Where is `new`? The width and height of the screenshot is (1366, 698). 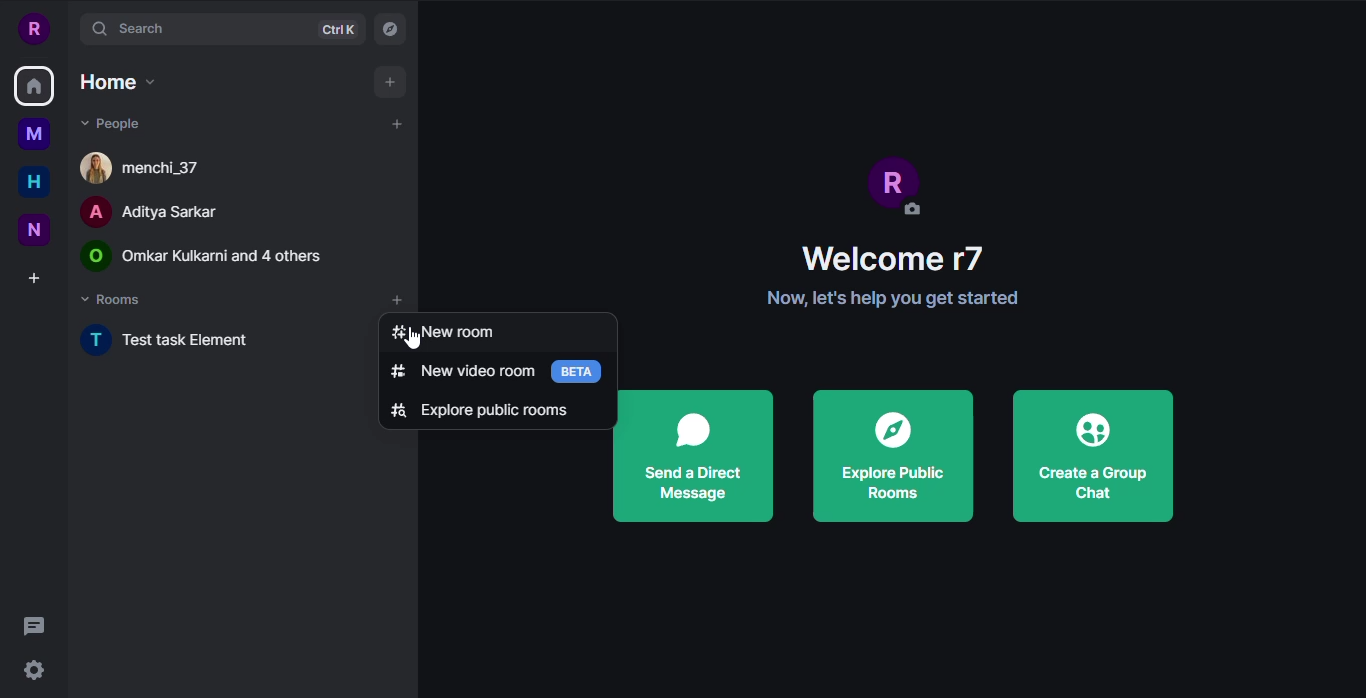 new is located at coordinates (35, 229).